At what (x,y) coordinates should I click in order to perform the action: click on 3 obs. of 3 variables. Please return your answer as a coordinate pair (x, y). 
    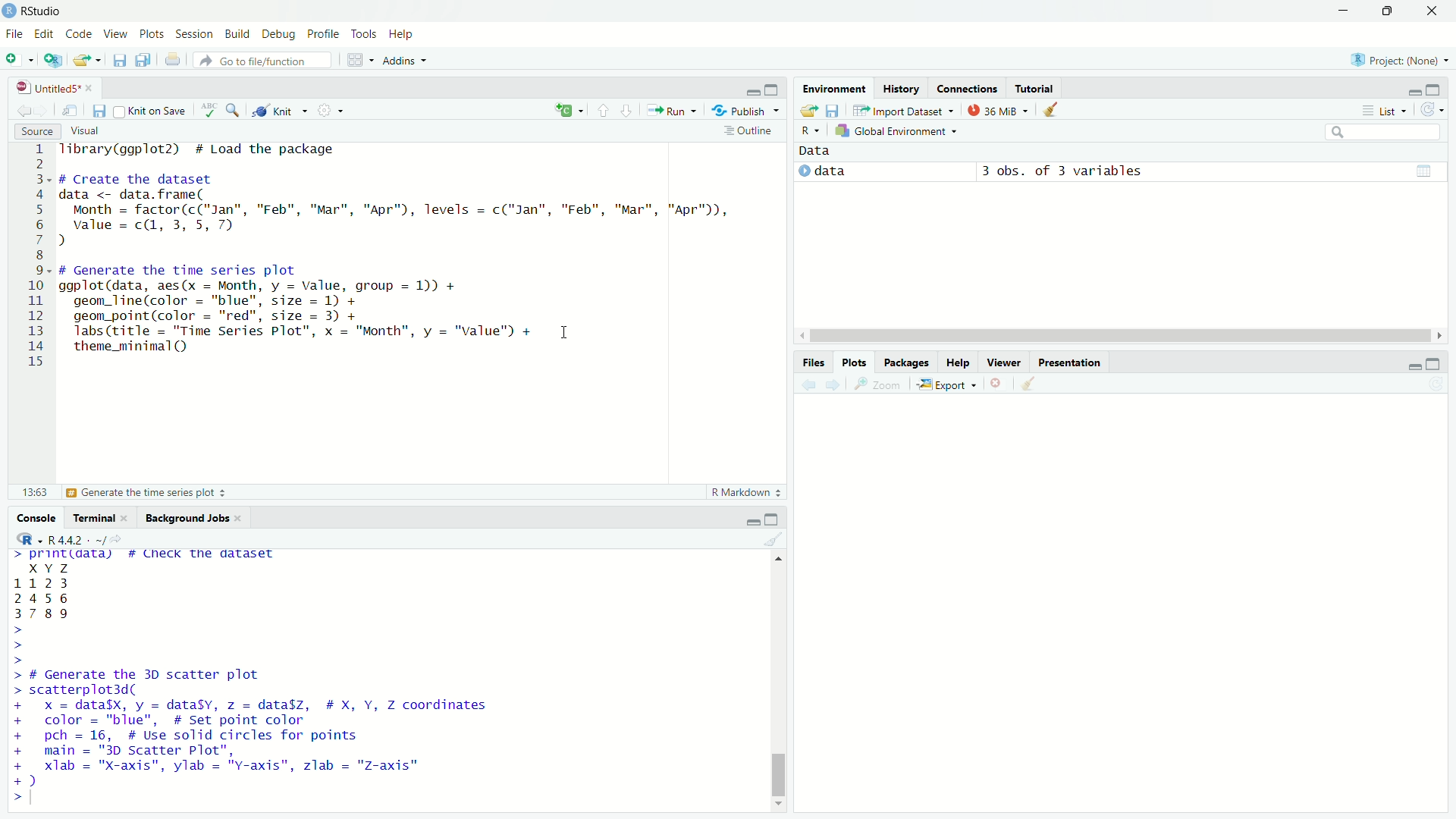
    Looking at the image, I should click on (1078, 173).